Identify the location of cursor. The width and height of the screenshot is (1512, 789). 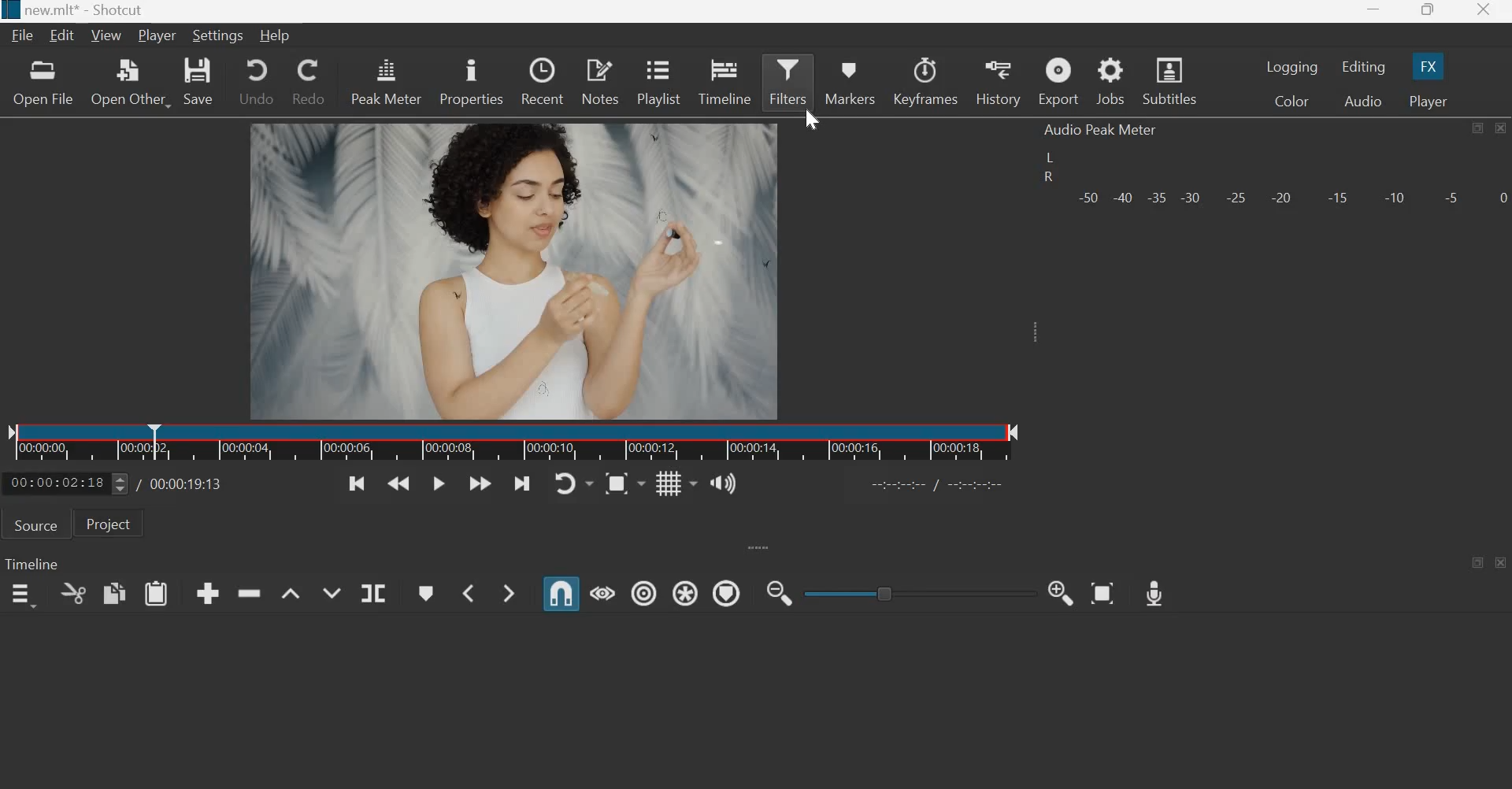
(811, 124).